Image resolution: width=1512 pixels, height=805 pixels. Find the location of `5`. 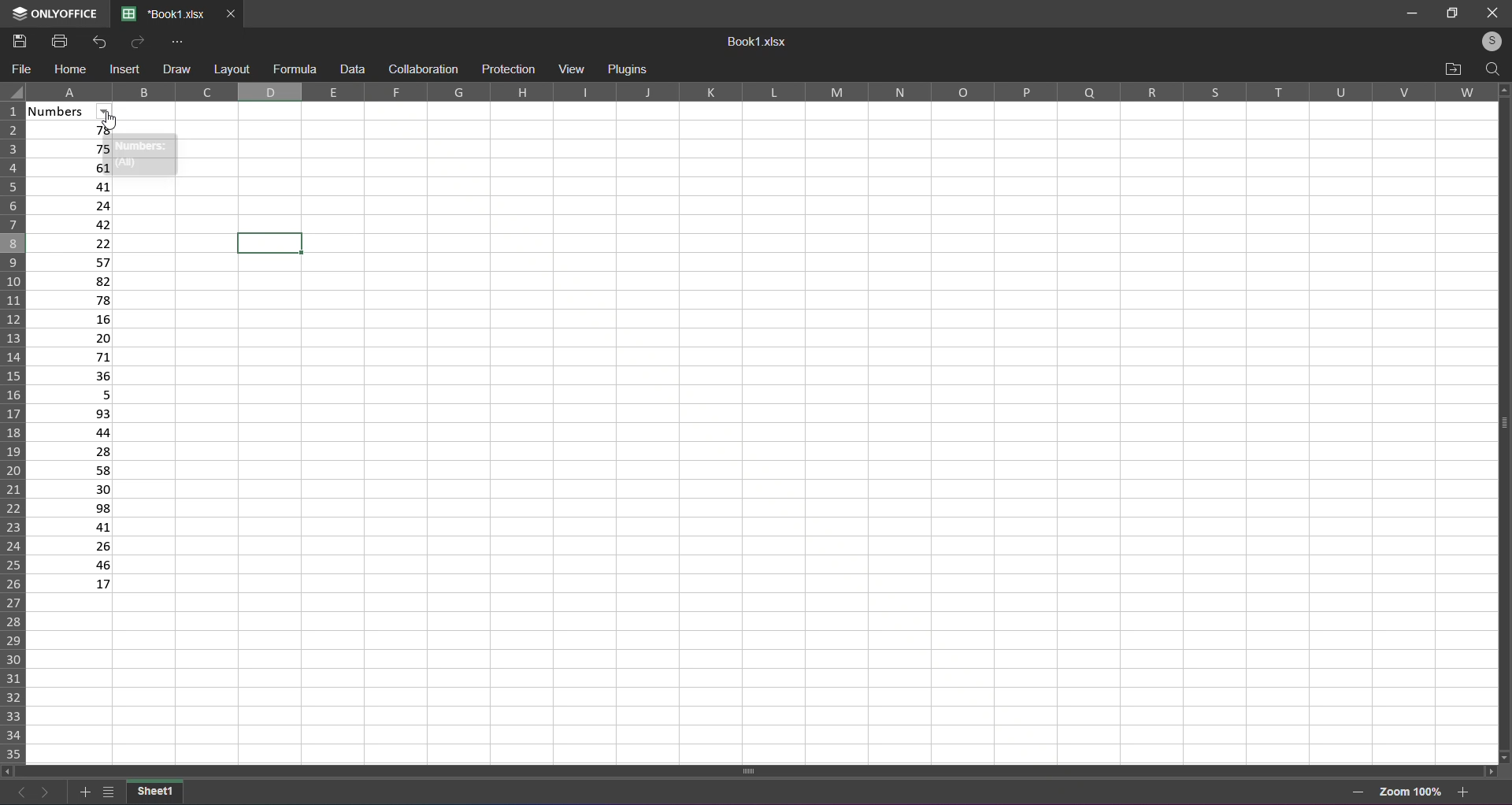

5 is located at coordinates (71, 394).